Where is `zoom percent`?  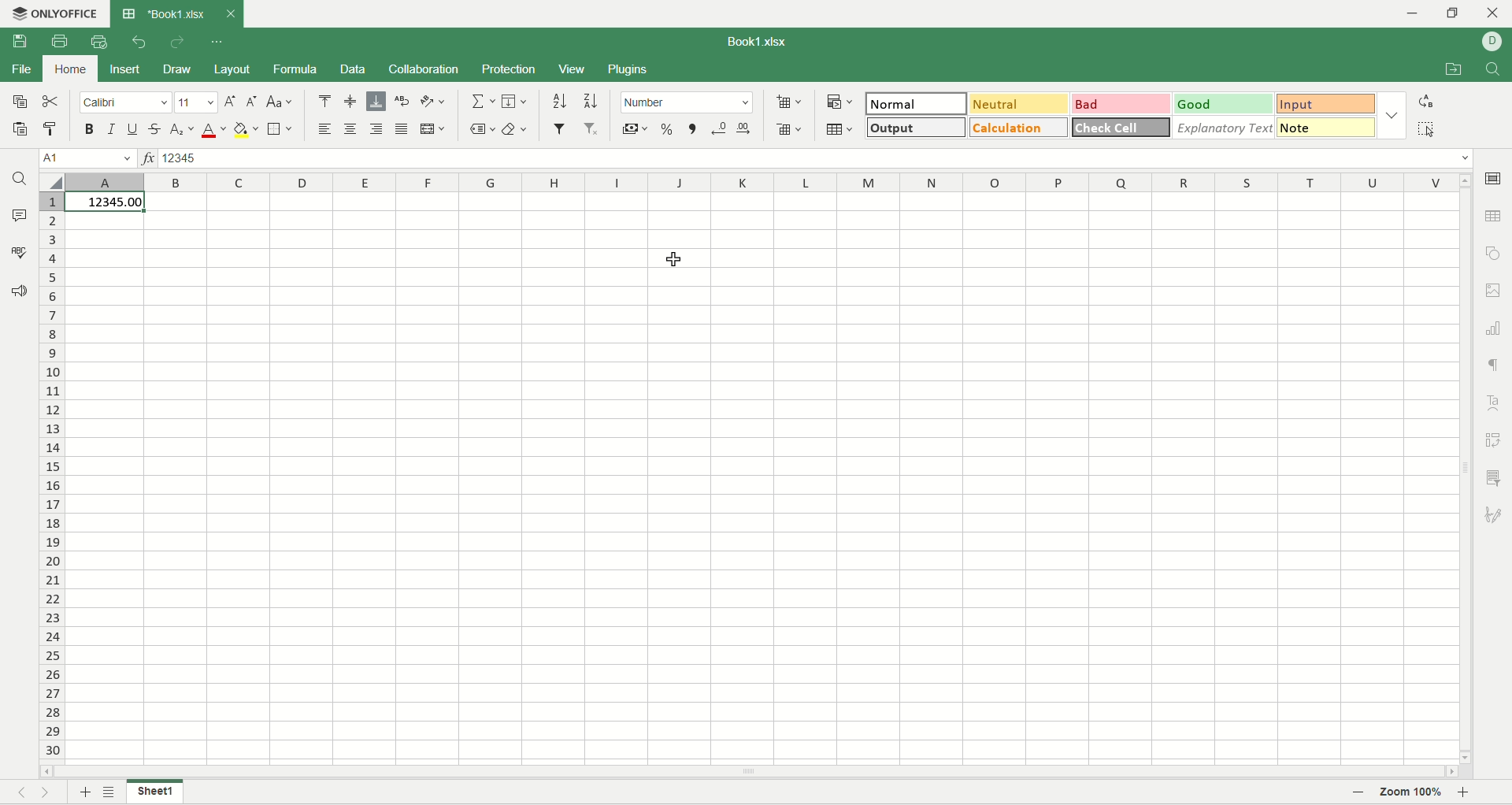 zoom percent is located at coordinates (1409, 793).